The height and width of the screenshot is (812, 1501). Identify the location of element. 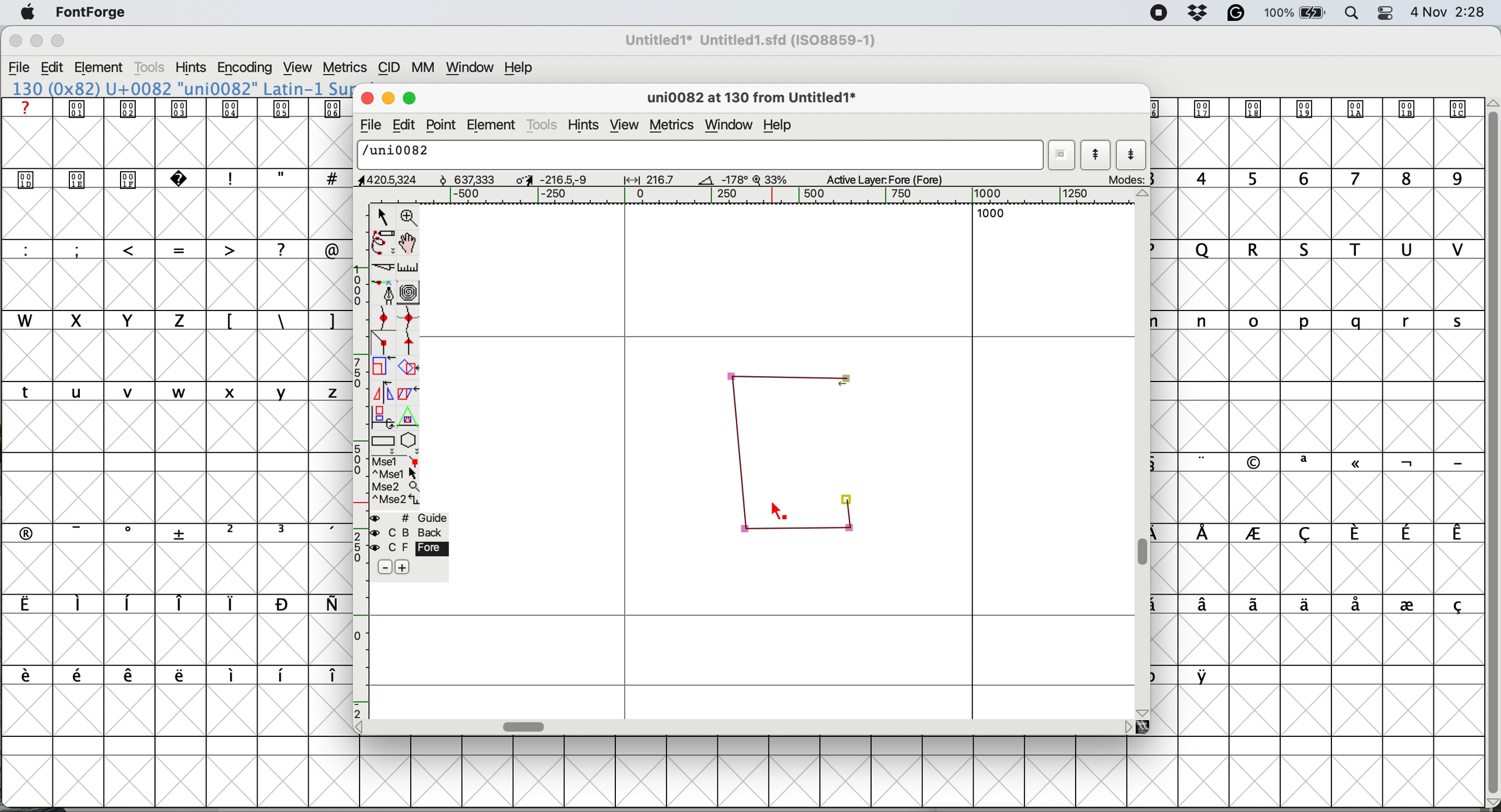
(492, 124).